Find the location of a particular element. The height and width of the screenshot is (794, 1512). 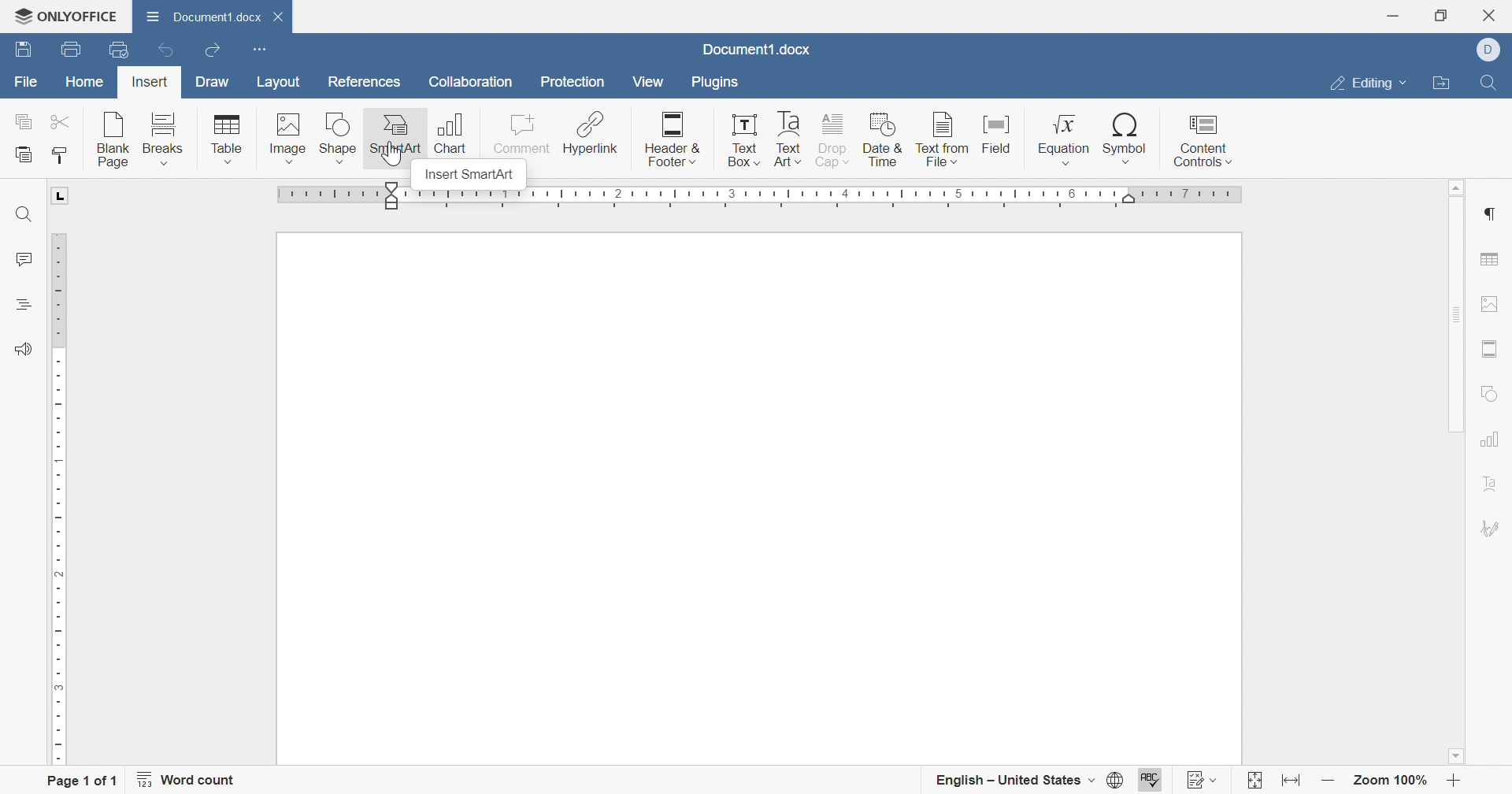

Comments is located at coordinates (22, 260).